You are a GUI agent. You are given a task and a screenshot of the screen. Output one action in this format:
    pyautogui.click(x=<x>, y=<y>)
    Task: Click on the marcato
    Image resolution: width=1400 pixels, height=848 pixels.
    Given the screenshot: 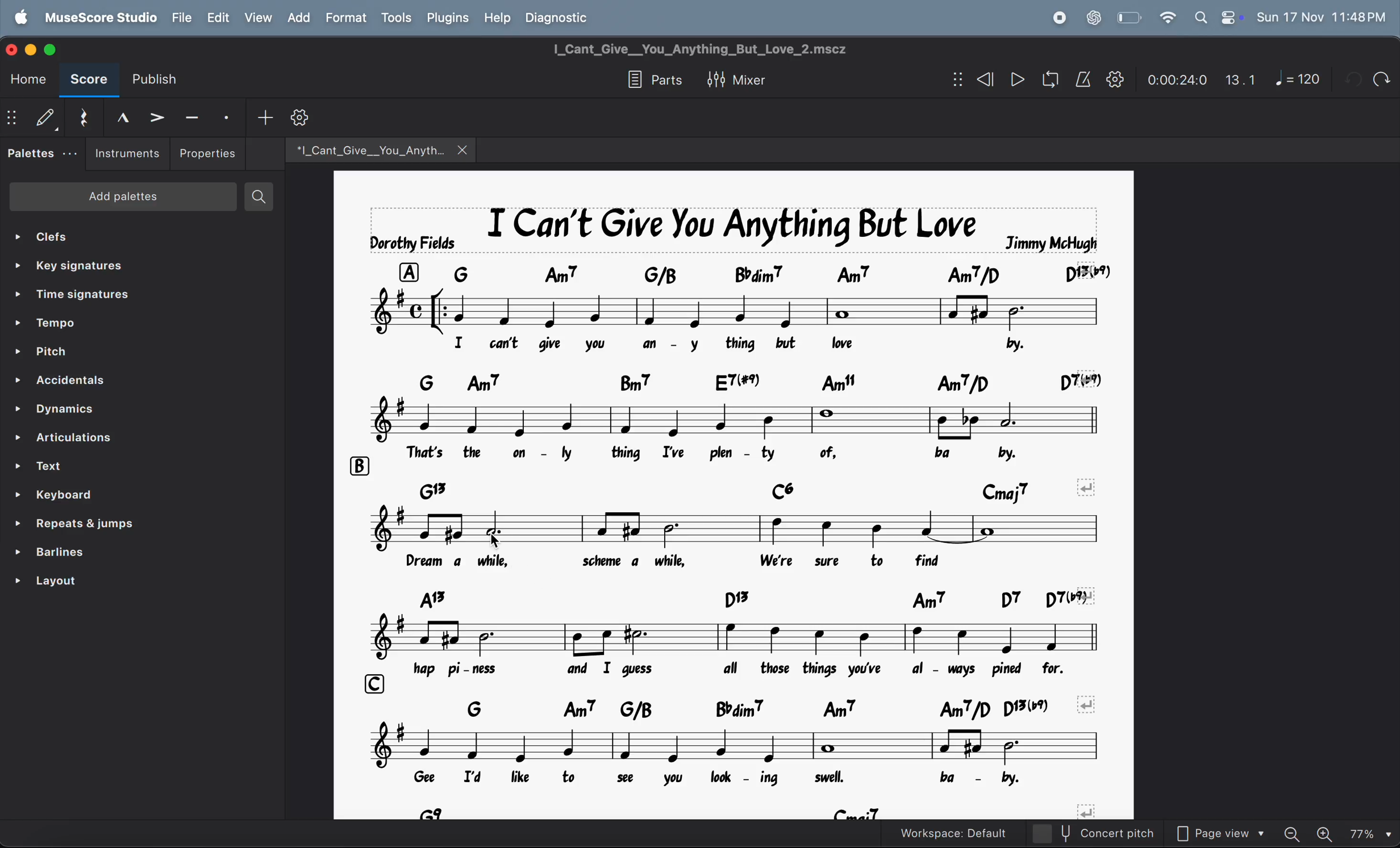 What is the action you would take?
    pyautogui.click(x=121, y=116)
    